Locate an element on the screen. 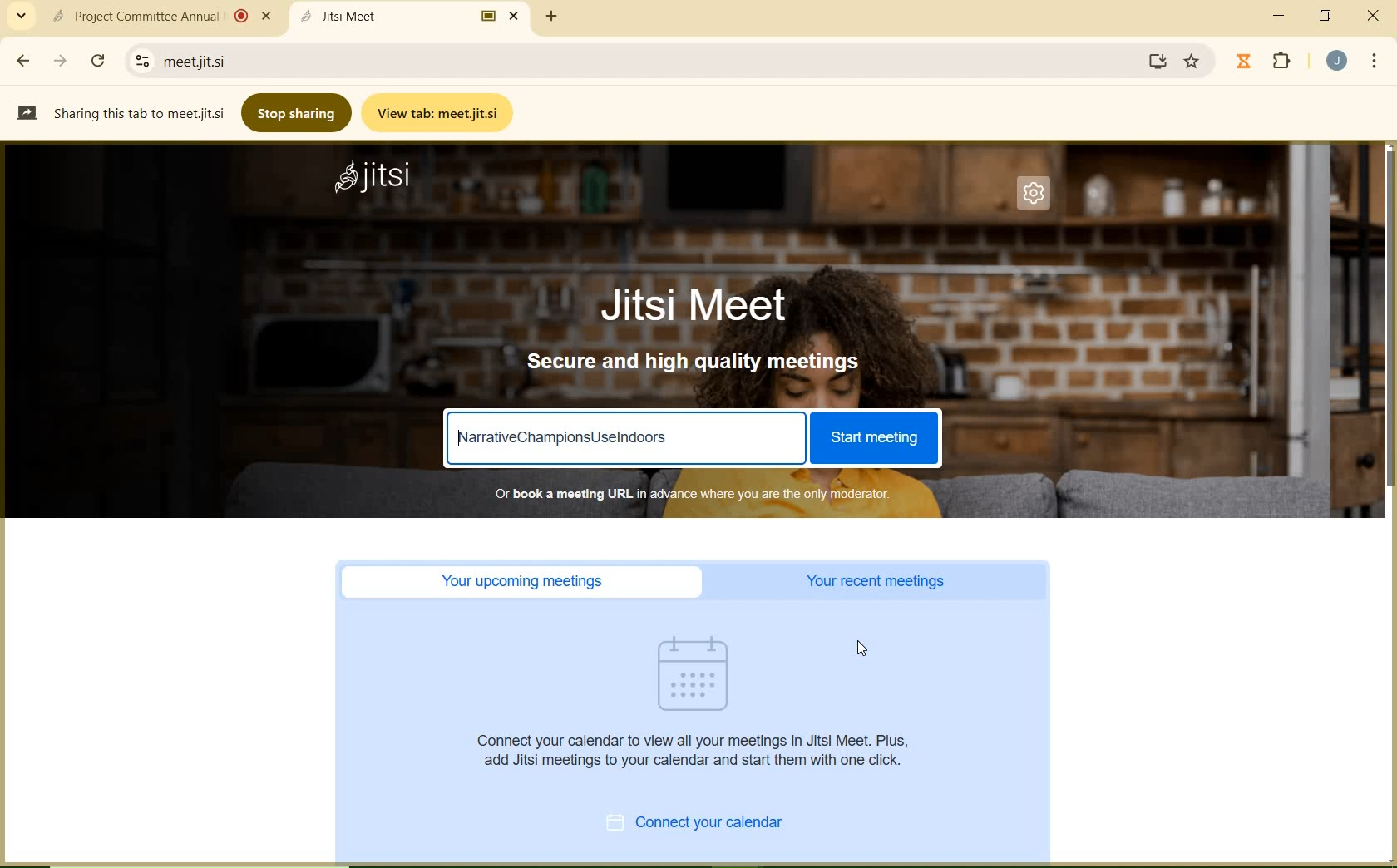 The image size is (1397, 868). account is located at coordinates (1339, 61).